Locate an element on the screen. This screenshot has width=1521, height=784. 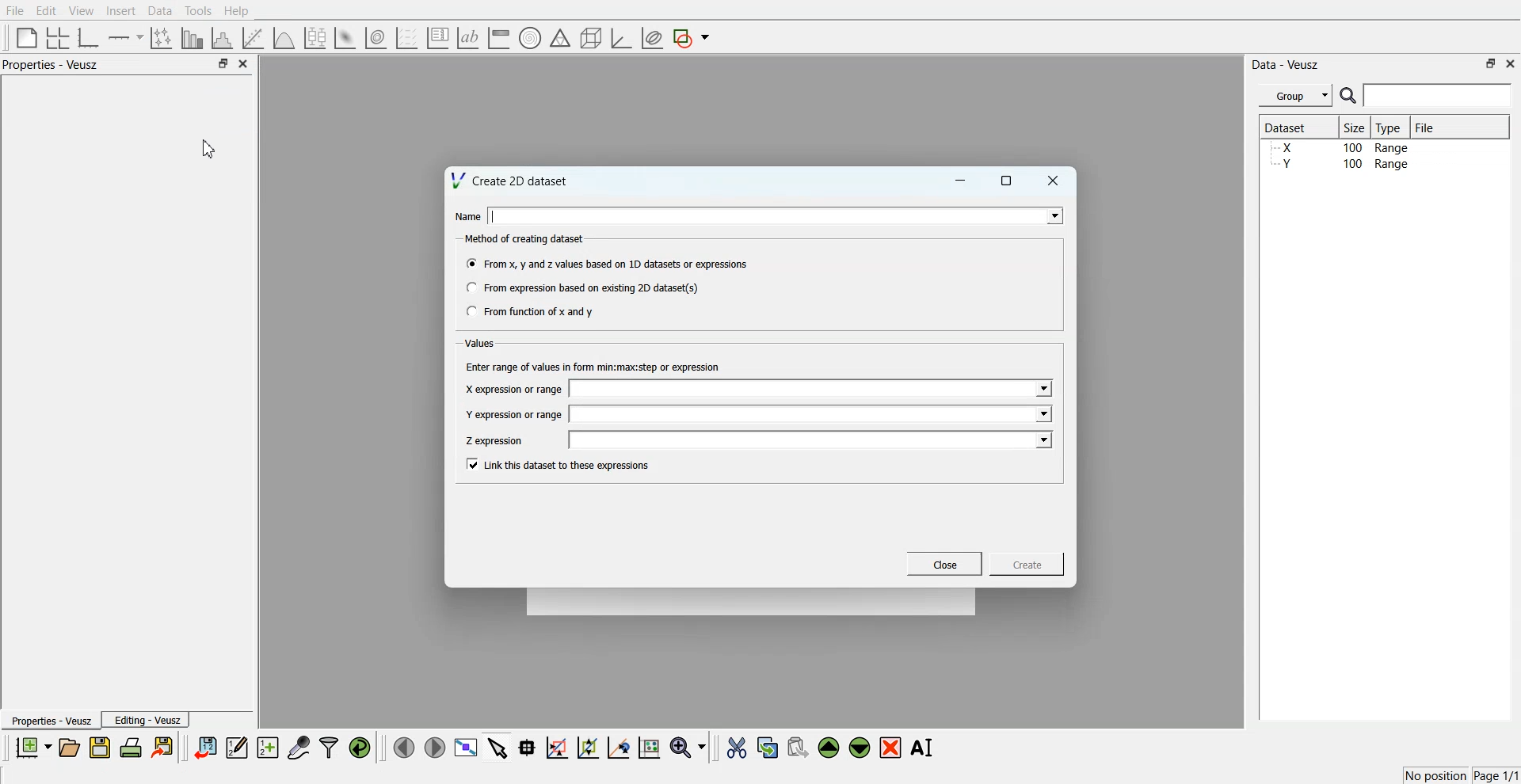
Create is located at coordinates (1027, 563).